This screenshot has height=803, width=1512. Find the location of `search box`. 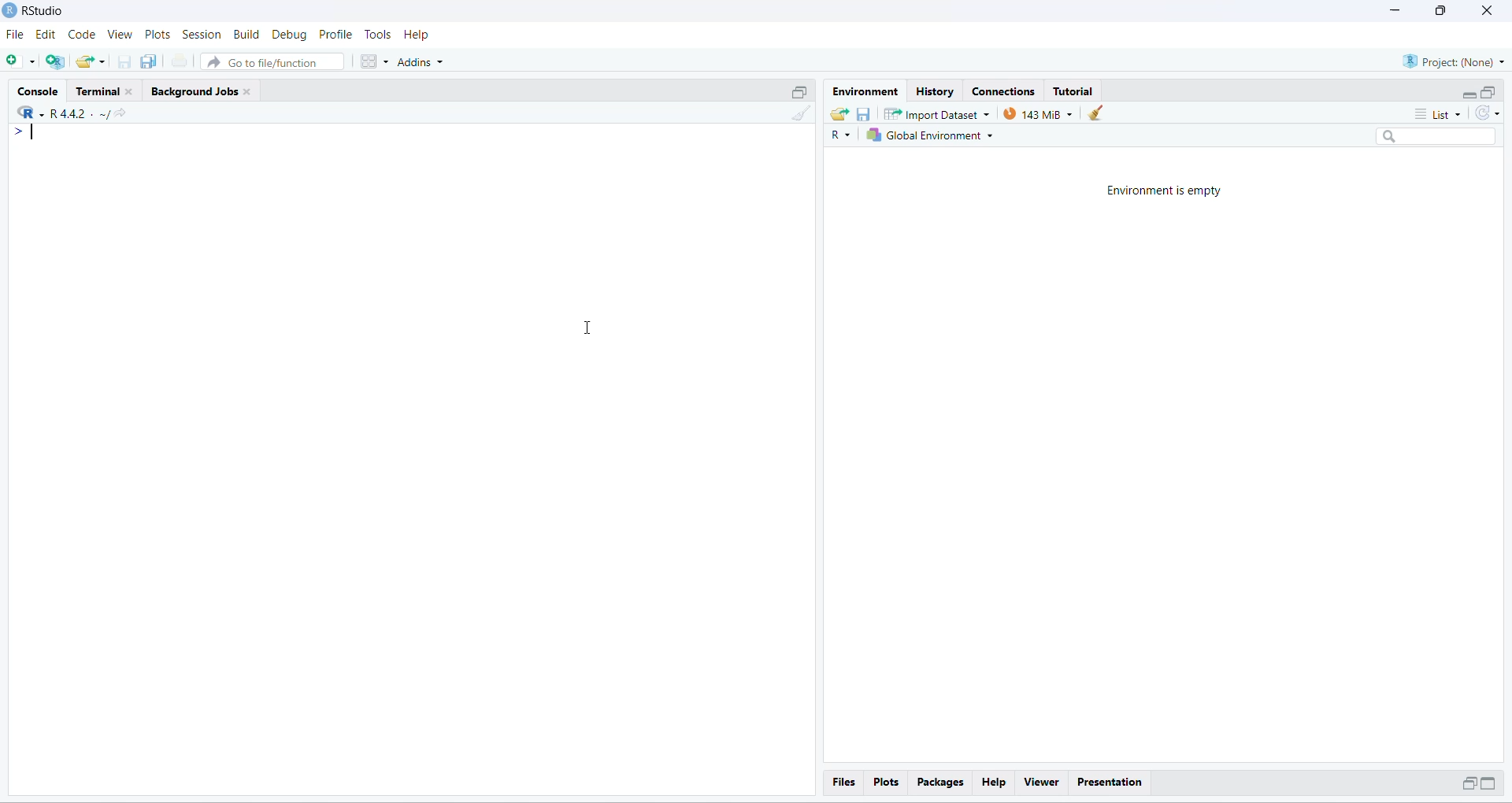

search box is located at coordinates (1440, 136).